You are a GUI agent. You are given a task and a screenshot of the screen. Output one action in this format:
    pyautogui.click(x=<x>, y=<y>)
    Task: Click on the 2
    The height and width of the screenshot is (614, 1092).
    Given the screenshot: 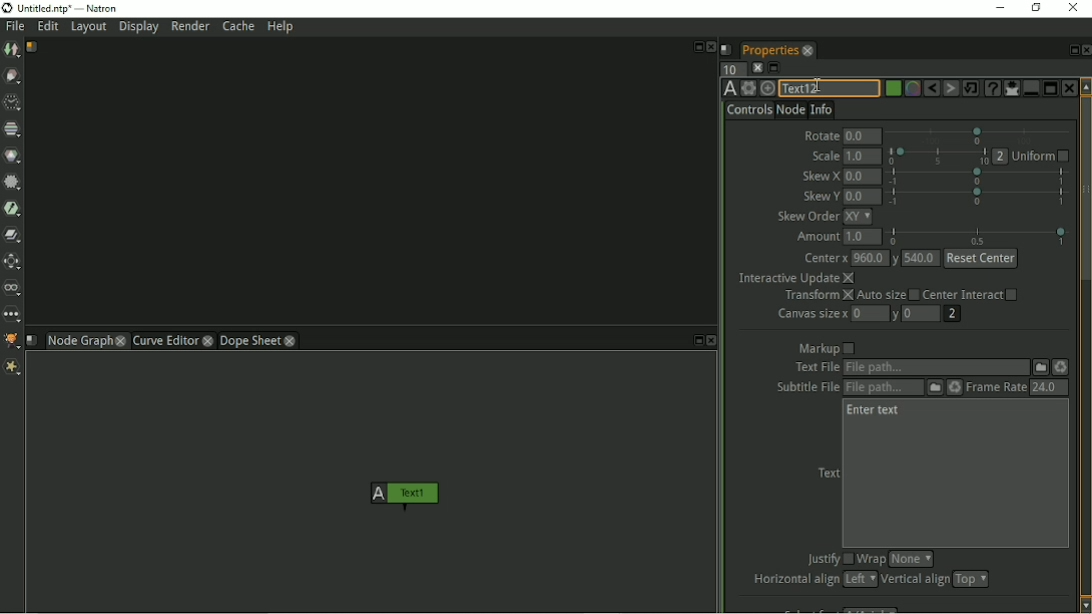 What is the action you would take?
    pyautogui.click(x=1001, y=156)
    